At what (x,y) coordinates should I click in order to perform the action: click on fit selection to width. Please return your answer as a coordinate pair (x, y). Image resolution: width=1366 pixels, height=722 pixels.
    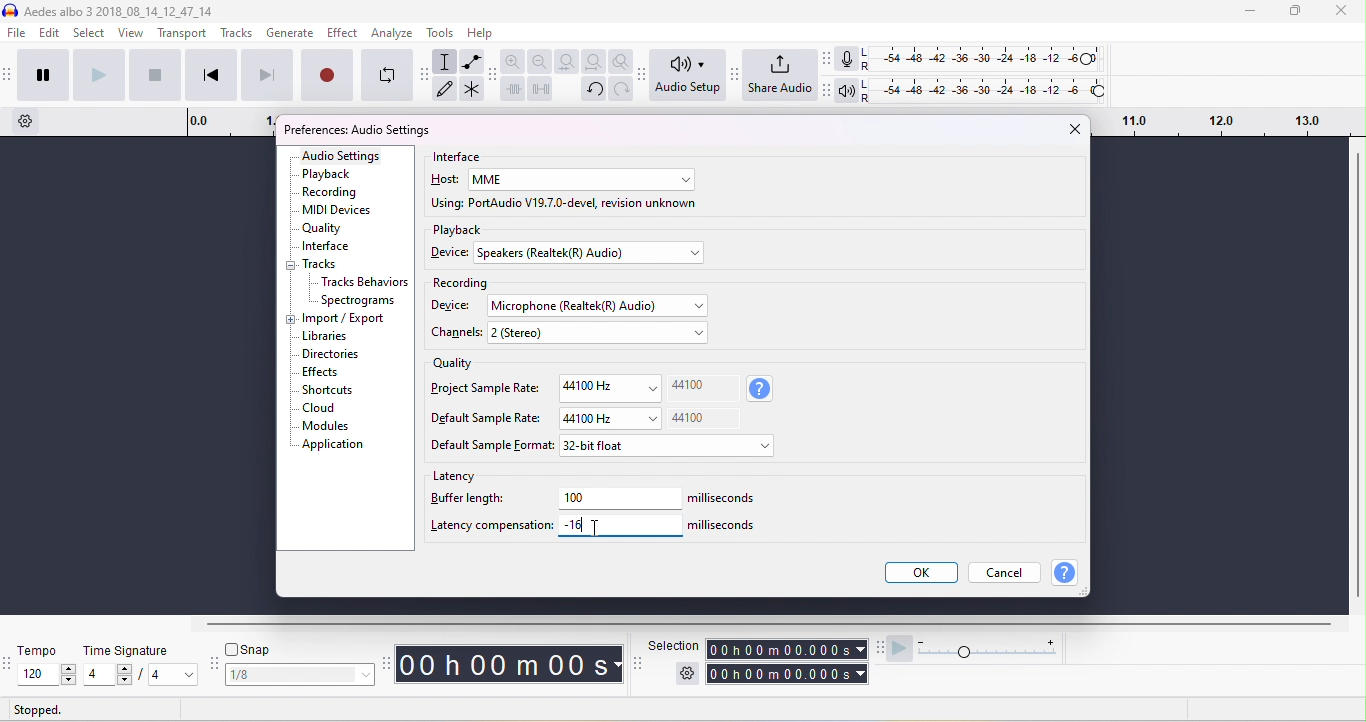
    Looking at the image, I should click on (569, 62).